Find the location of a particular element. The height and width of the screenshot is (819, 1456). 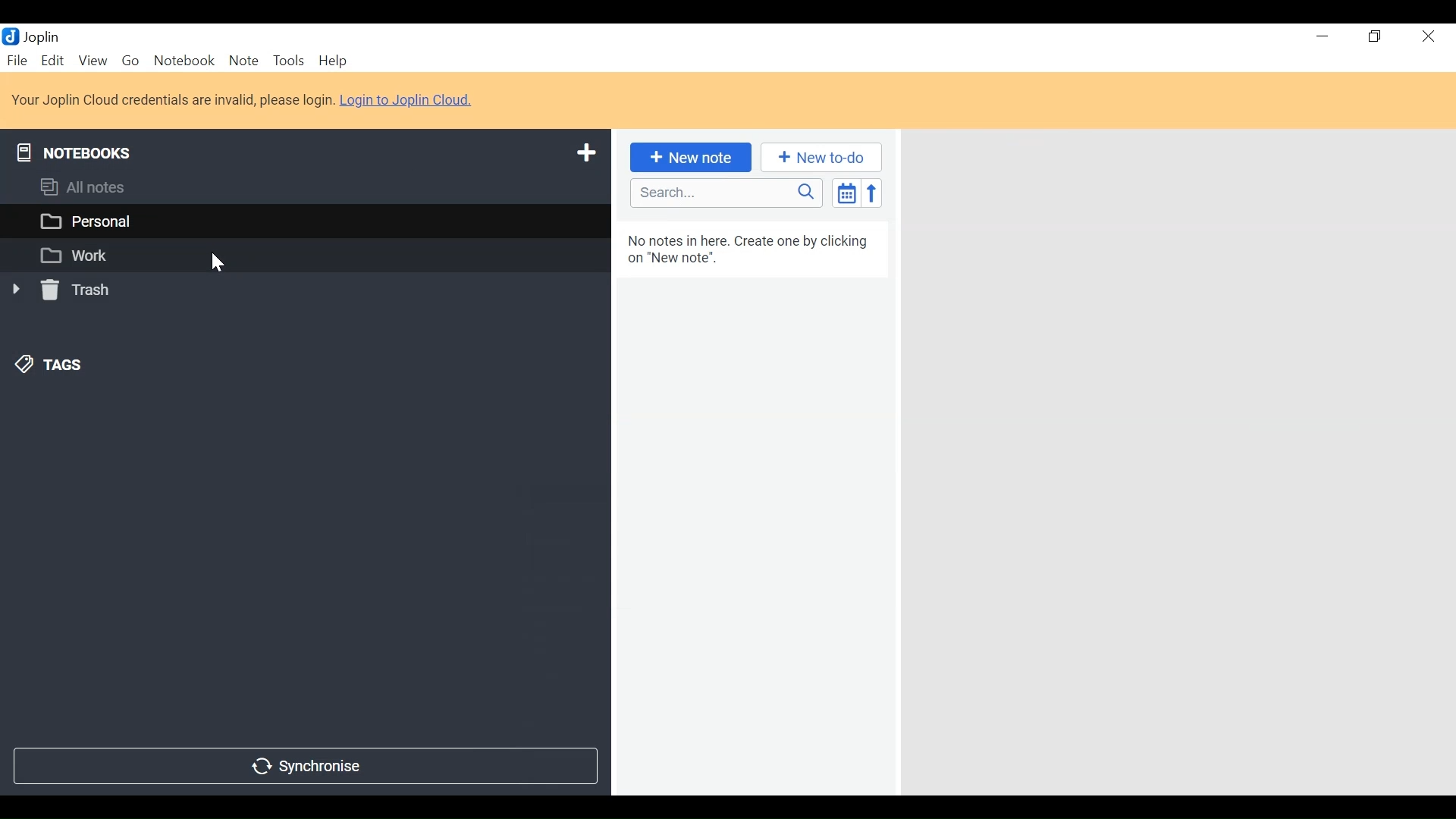

Synchronise is located at coordinates (306, 767).